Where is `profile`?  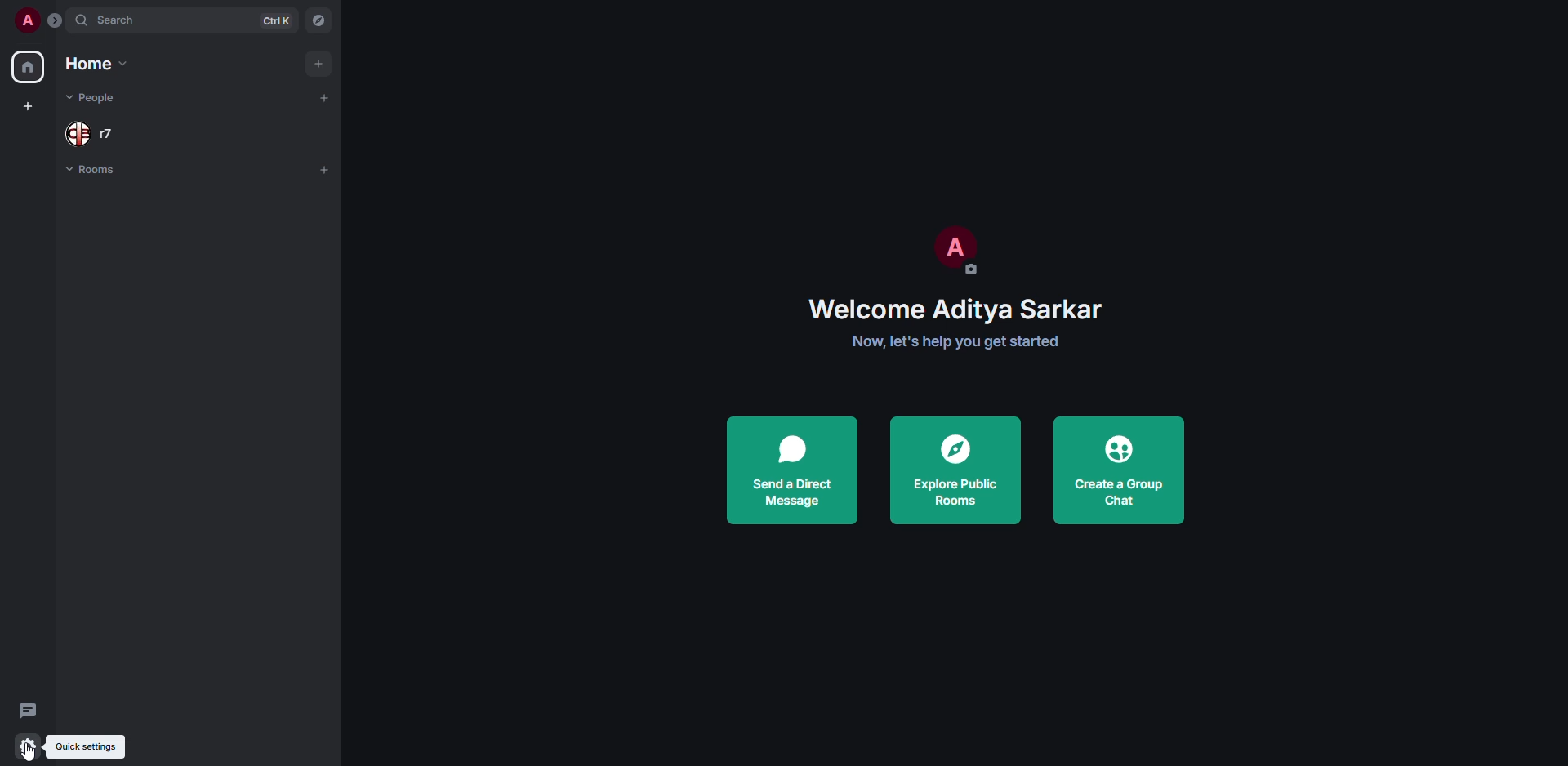 profile is located at coordinates (28, 19).